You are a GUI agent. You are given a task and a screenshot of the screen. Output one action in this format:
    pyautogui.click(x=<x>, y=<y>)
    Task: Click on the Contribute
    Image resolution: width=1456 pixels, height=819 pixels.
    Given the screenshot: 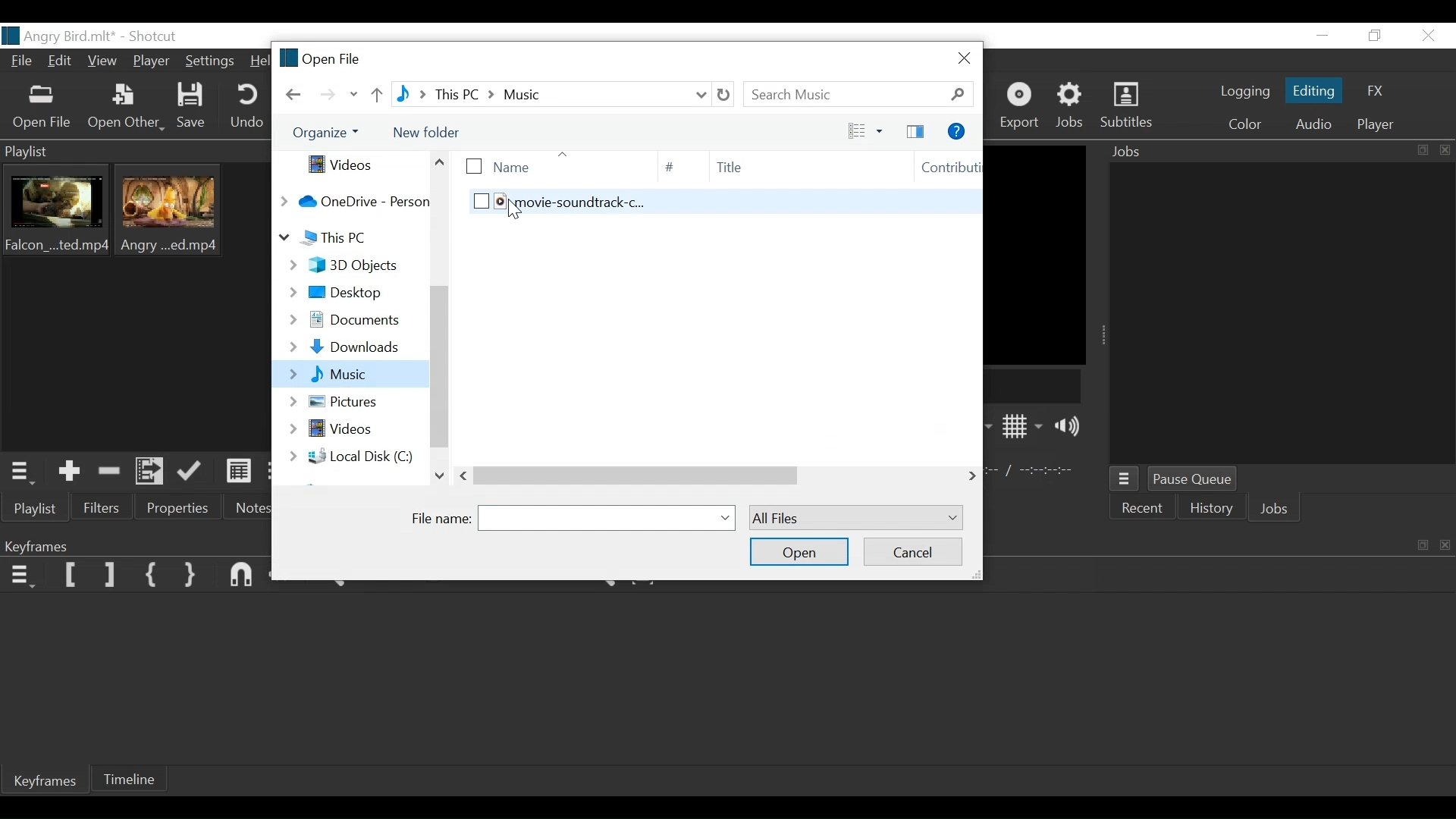 What is the action you would take?
    pyautogui.click(x=939, y=168)
    